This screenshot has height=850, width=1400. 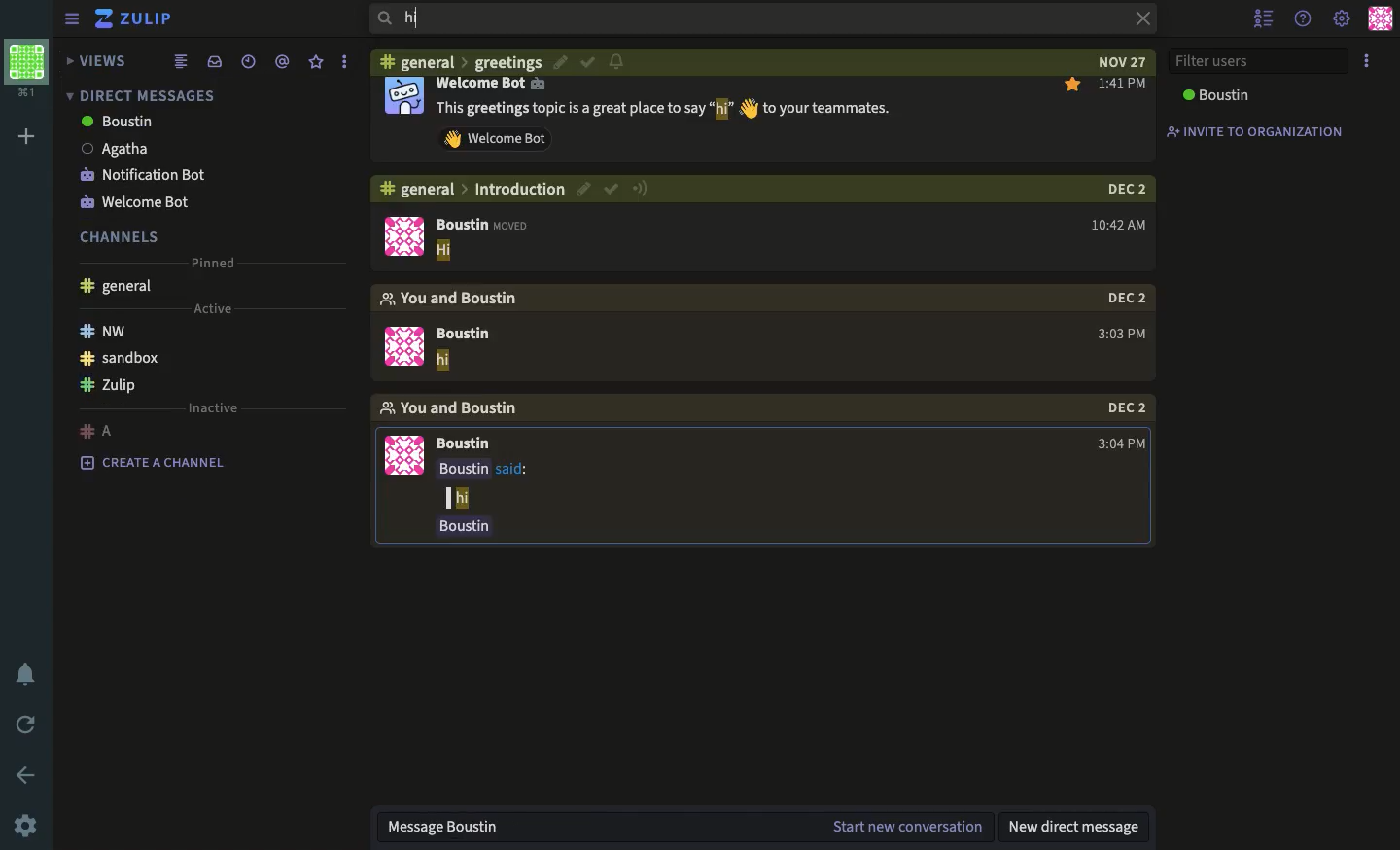 What do you see at coordinates (1119, 443) in the screenshot?
I see `3:04PM ` at bounding box center [1119, 443].